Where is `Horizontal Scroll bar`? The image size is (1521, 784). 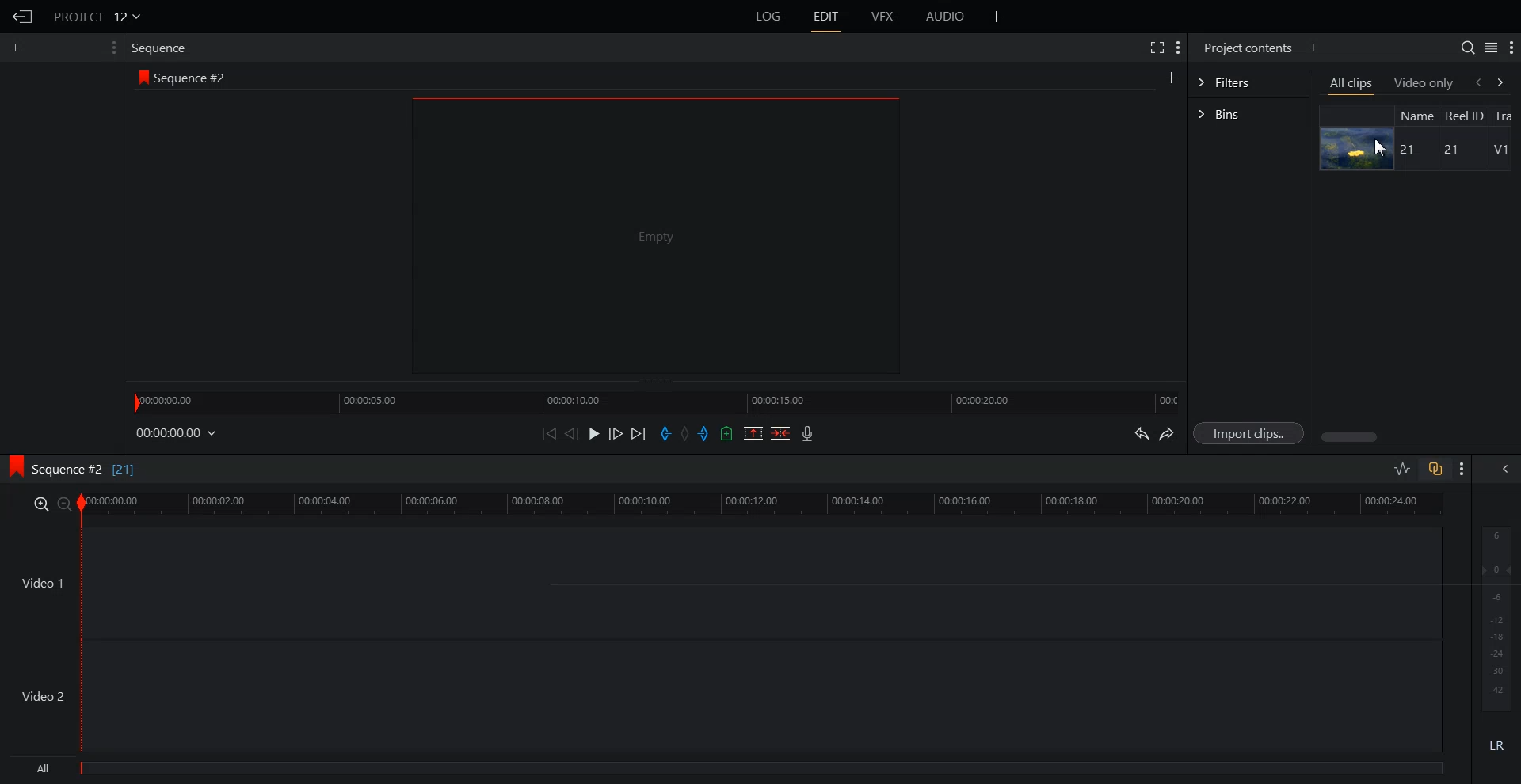 Horizontal Scroll bar is located at coordinates (1417, 437).